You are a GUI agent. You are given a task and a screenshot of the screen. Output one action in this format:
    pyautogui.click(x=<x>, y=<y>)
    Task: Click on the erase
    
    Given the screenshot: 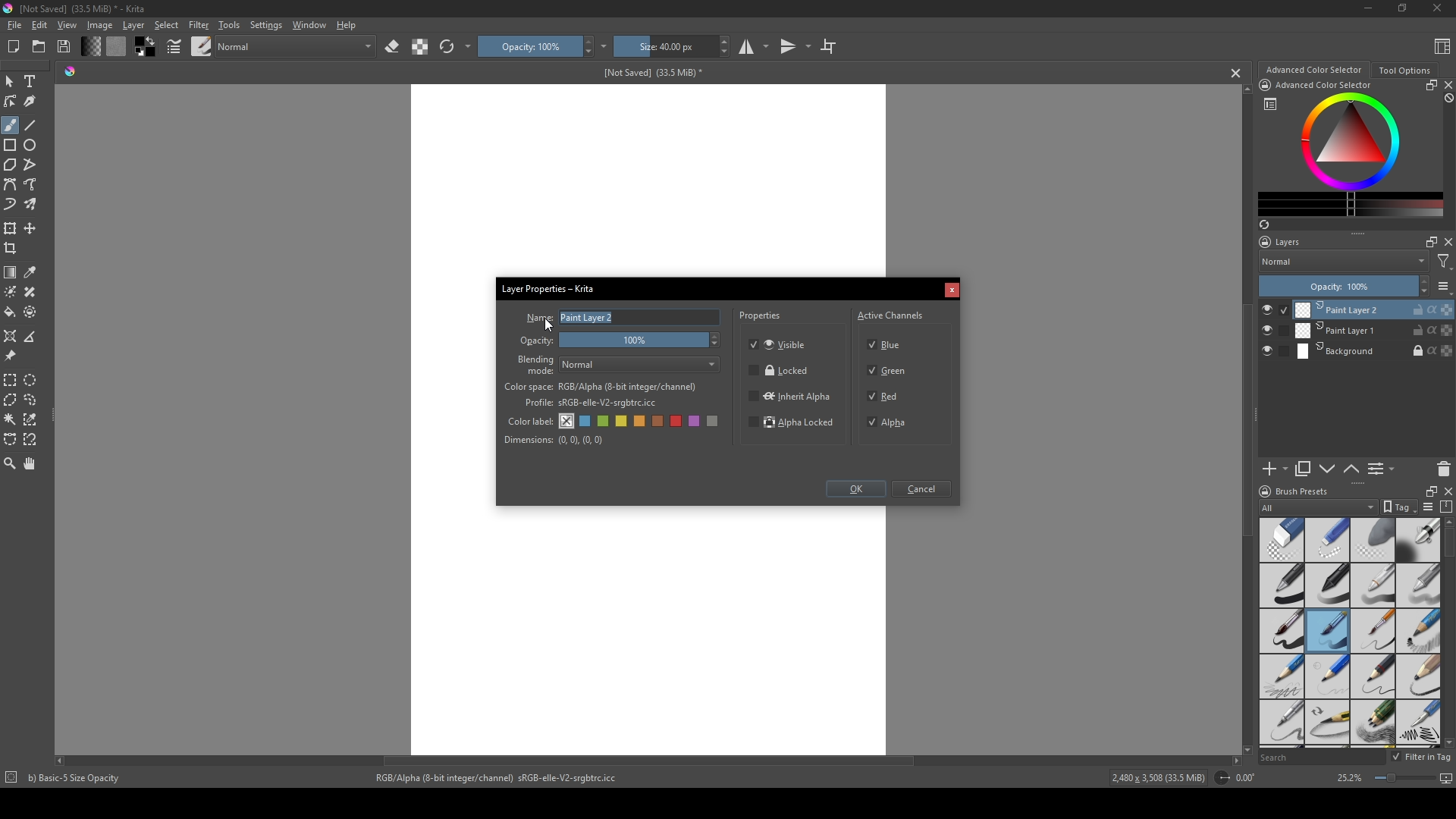 What is the action you would take?
    pyautogui.click(x=393, y=47)
    